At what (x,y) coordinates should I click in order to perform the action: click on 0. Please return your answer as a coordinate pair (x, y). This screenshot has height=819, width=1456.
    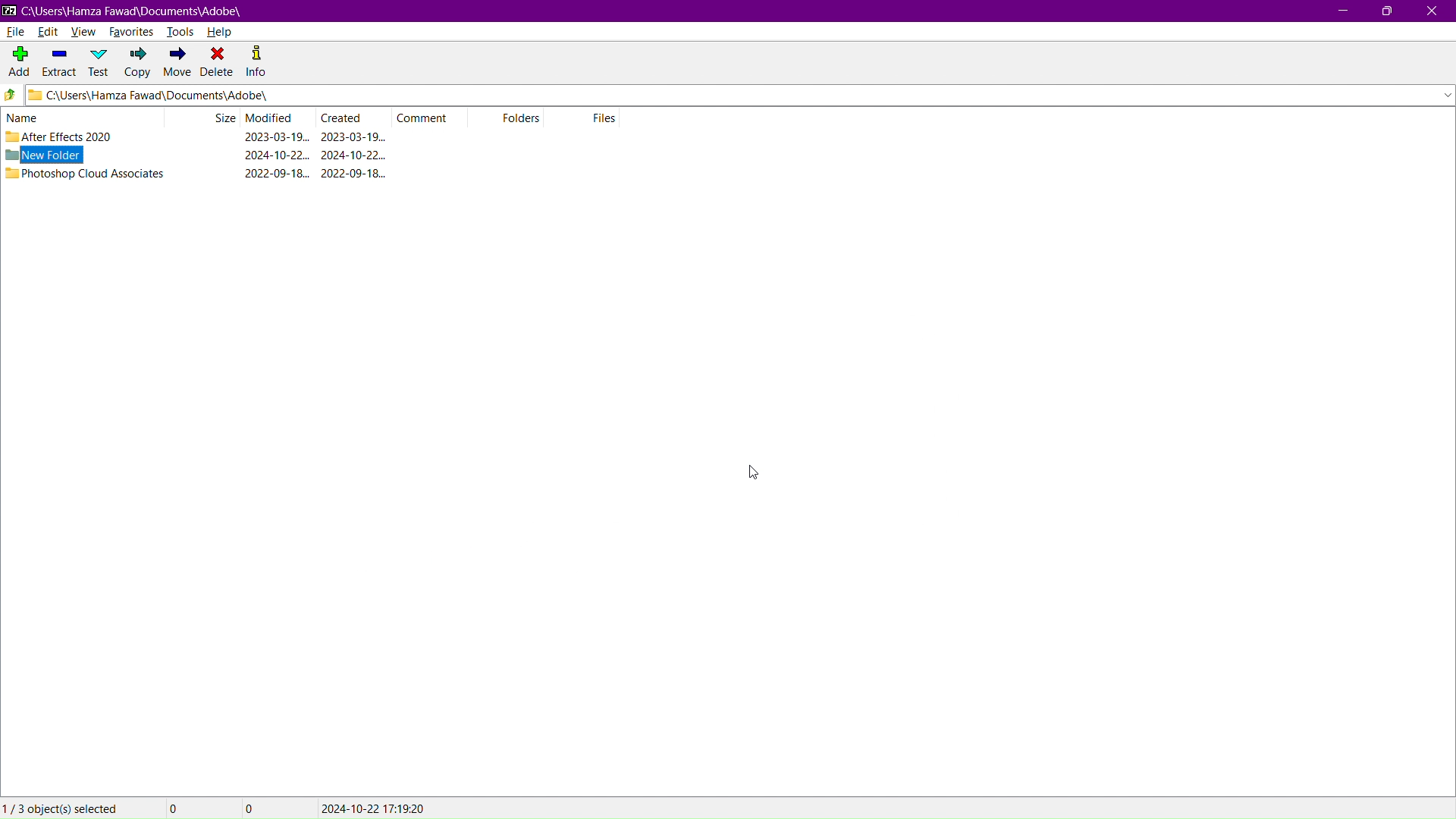
    Looking at the image, I should click on (250, 806).